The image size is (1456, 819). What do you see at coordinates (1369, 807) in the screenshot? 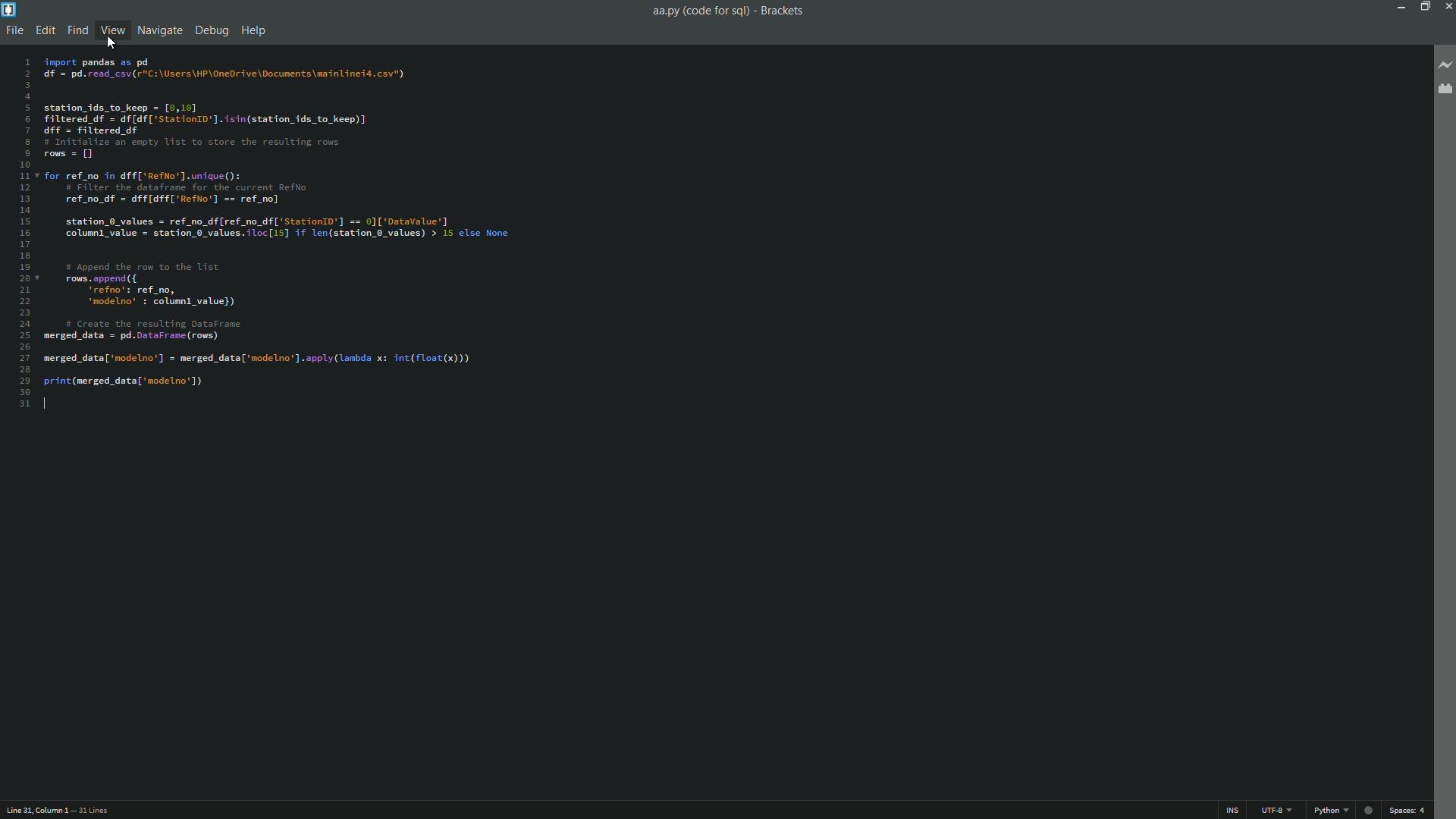
I see `Unsaved changes Indicator` at bounding box center [1369, 807].